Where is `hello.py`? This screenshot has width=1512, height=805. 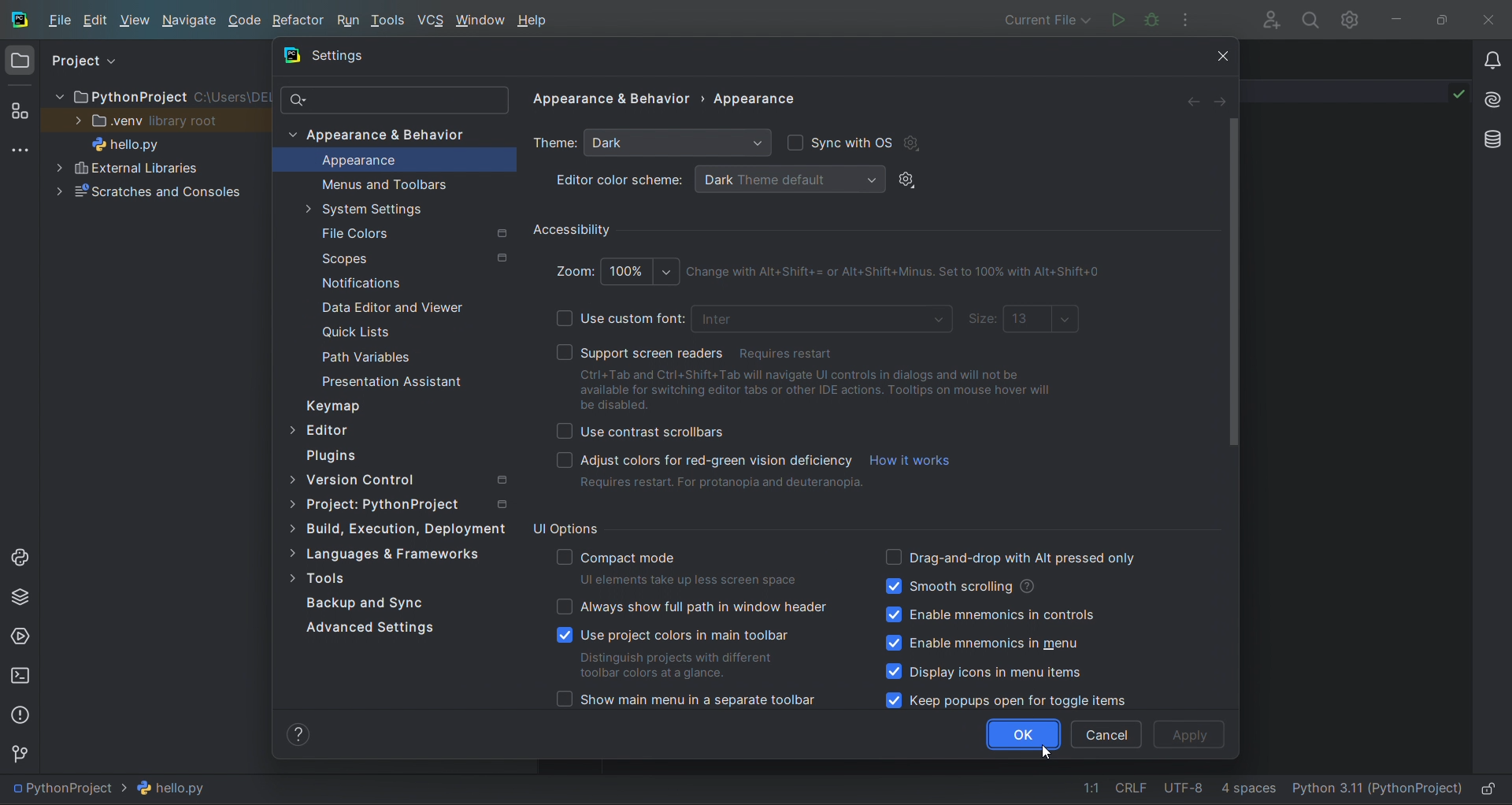 hello.py is located at coordinates (155, 142).